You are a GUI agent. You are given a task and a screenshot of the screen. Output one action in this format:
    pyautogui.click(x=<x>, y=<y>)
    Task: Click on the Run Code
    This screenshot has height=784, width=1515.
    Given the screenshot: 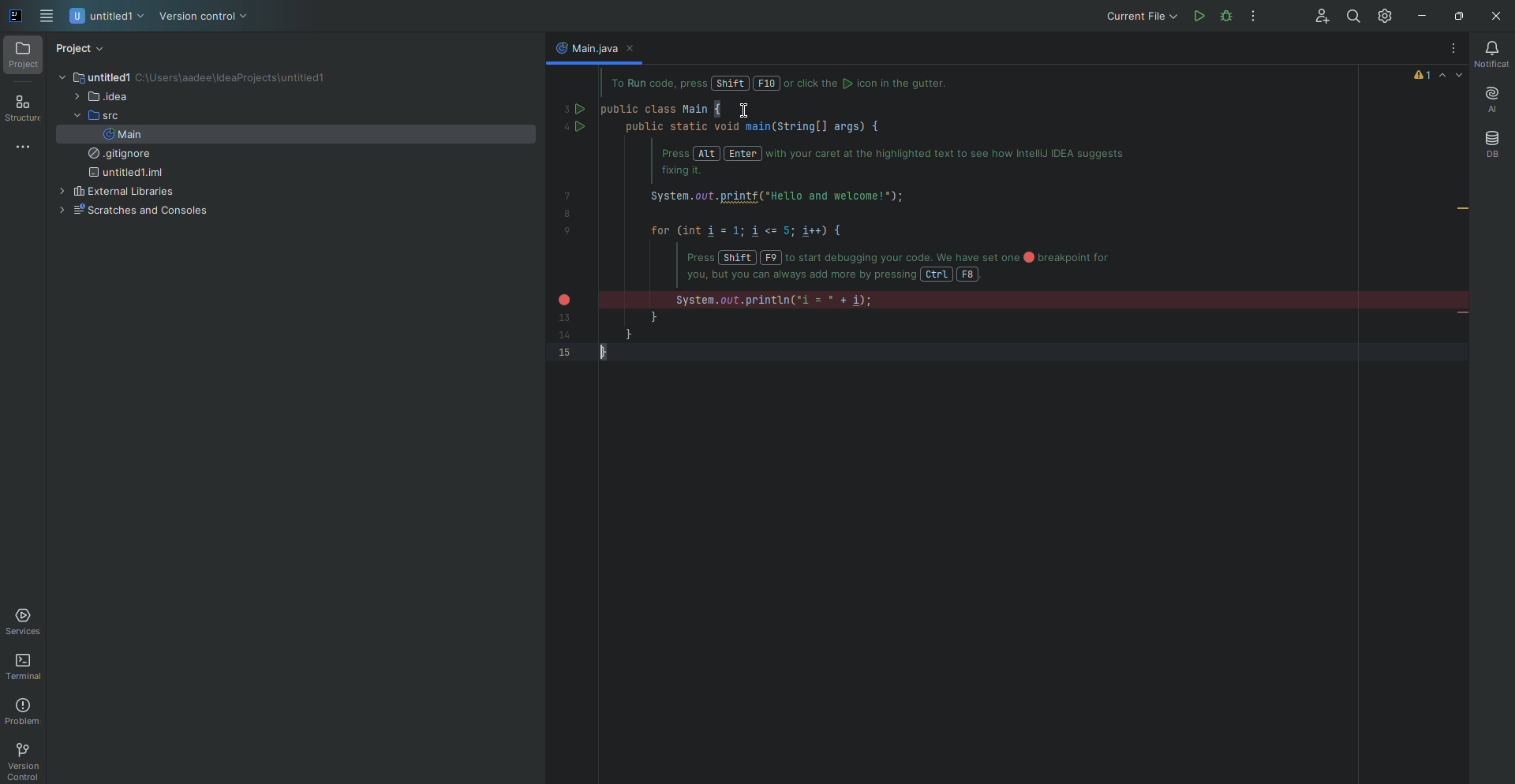 What is the action you would take?
    pyautogui.click(x=1198, y=16)
    